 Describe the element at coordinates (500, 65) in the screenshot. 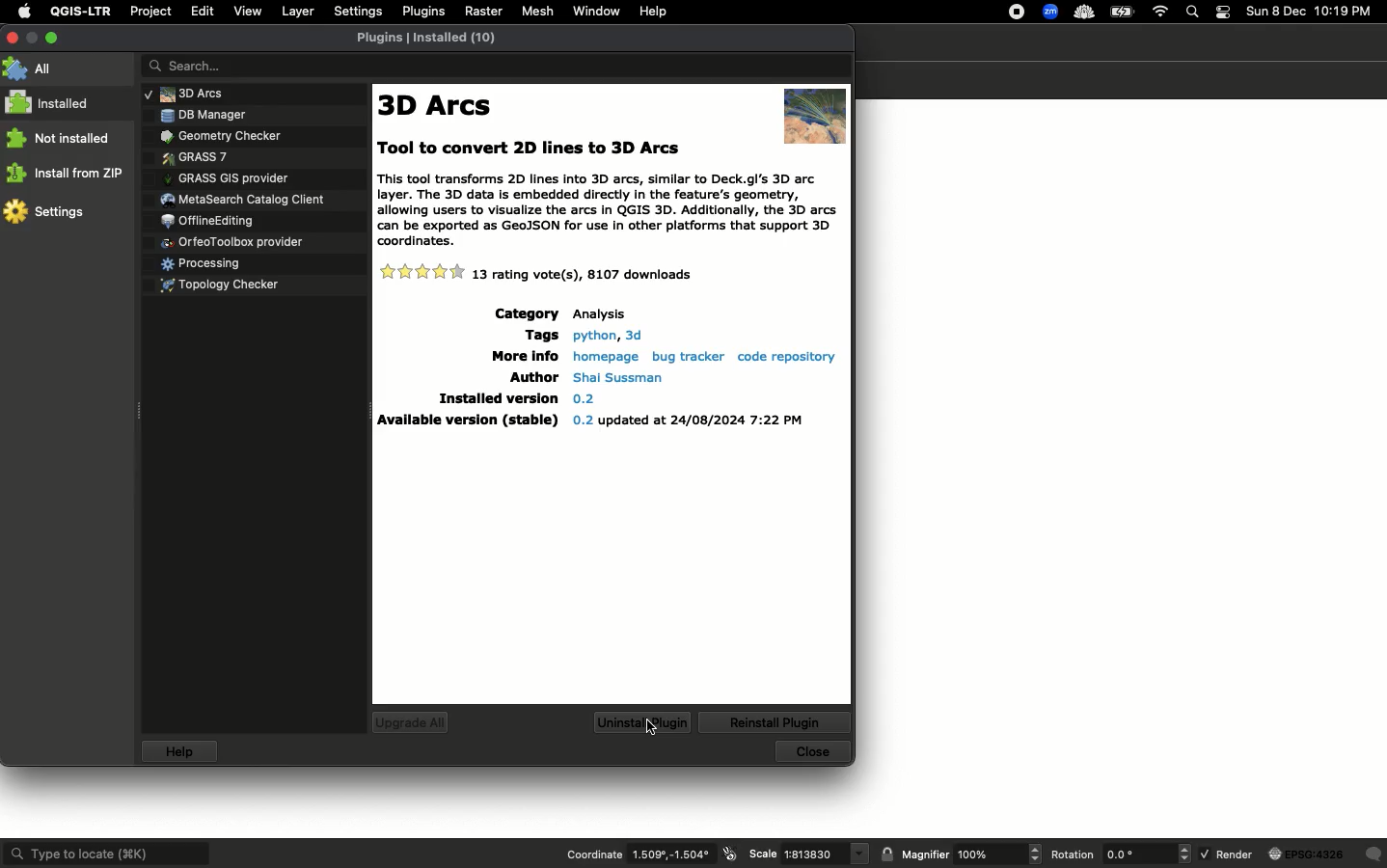

I see `Search` at that location.